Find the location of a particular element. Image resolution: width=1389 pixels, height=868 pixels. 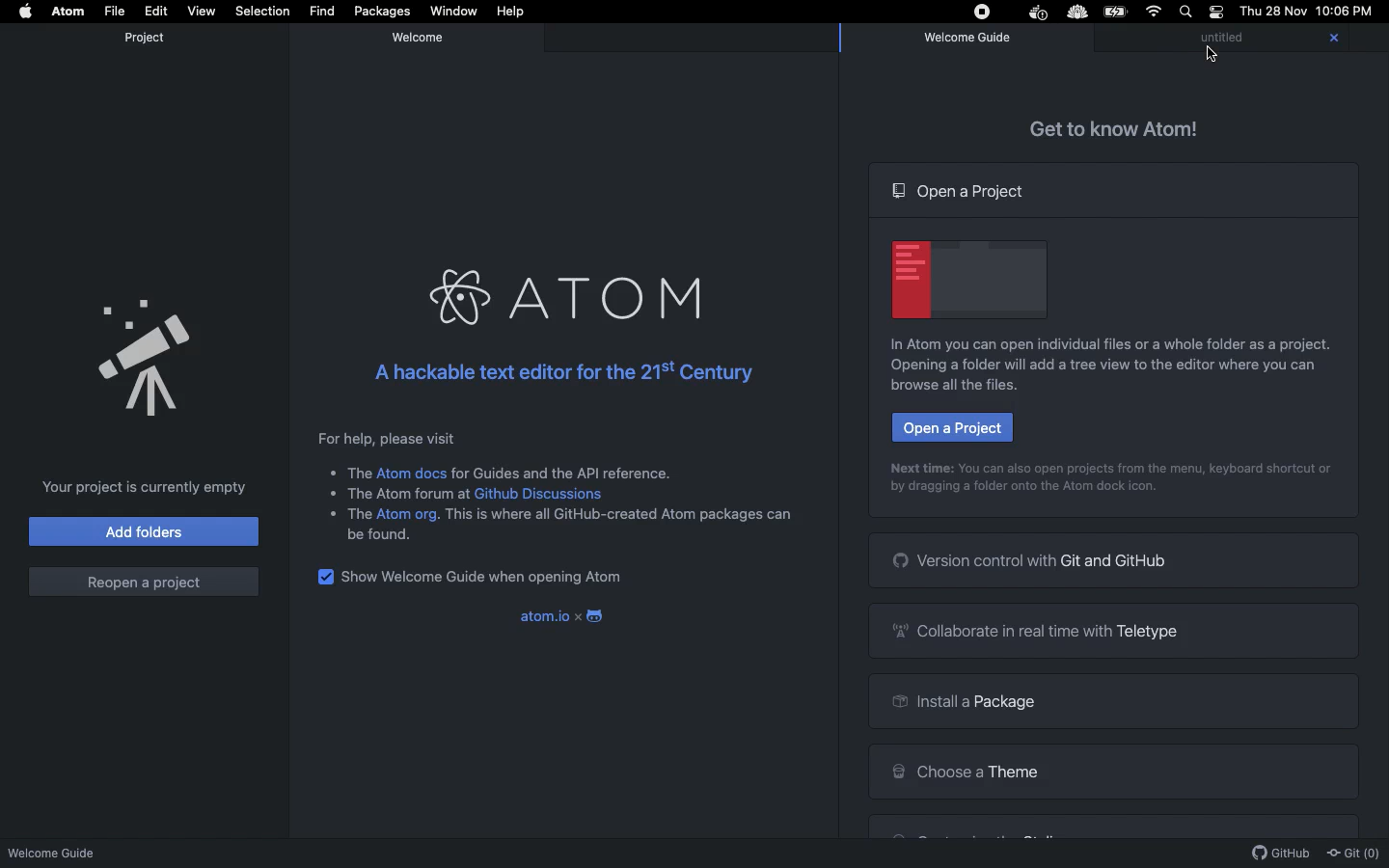

Atom org is located at coordinates (408, 515).